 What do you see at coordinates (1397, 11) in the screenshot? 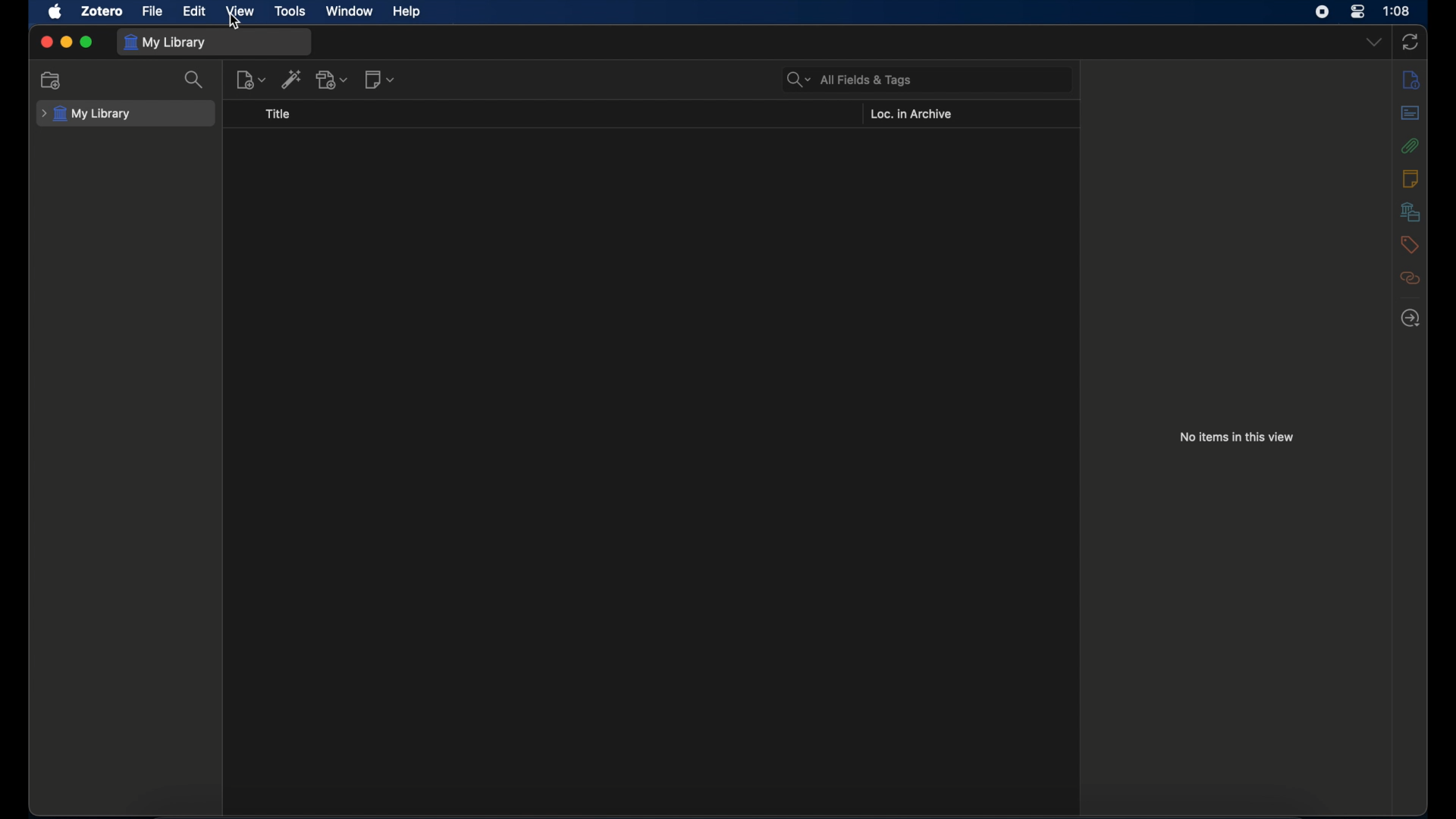
I see `time` at bounding box center [1397, 11].